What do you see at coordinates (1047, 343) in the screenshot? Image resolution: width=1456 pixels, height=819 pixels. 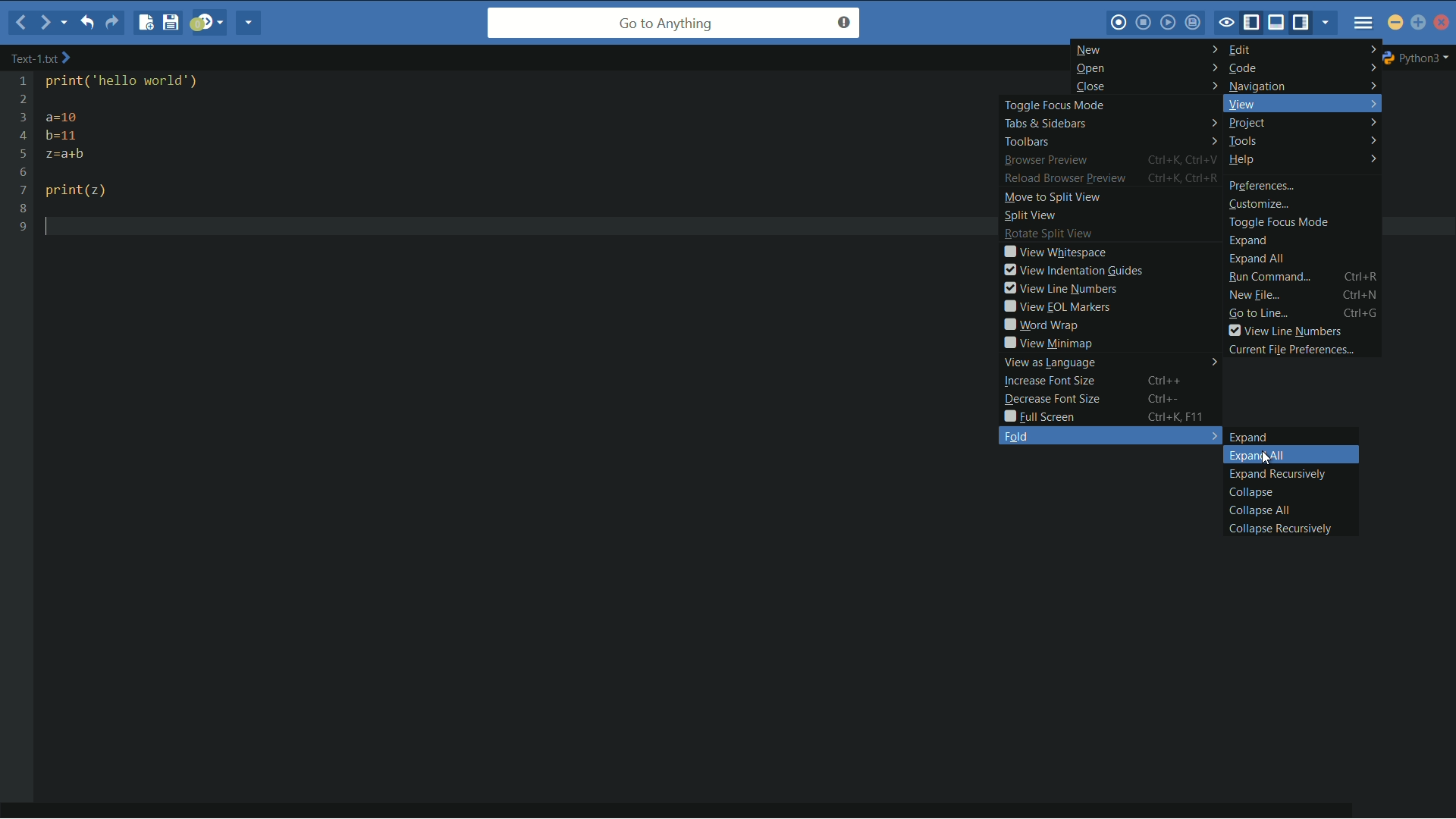 I see `view minimap` at bounding box center [1047, 343].